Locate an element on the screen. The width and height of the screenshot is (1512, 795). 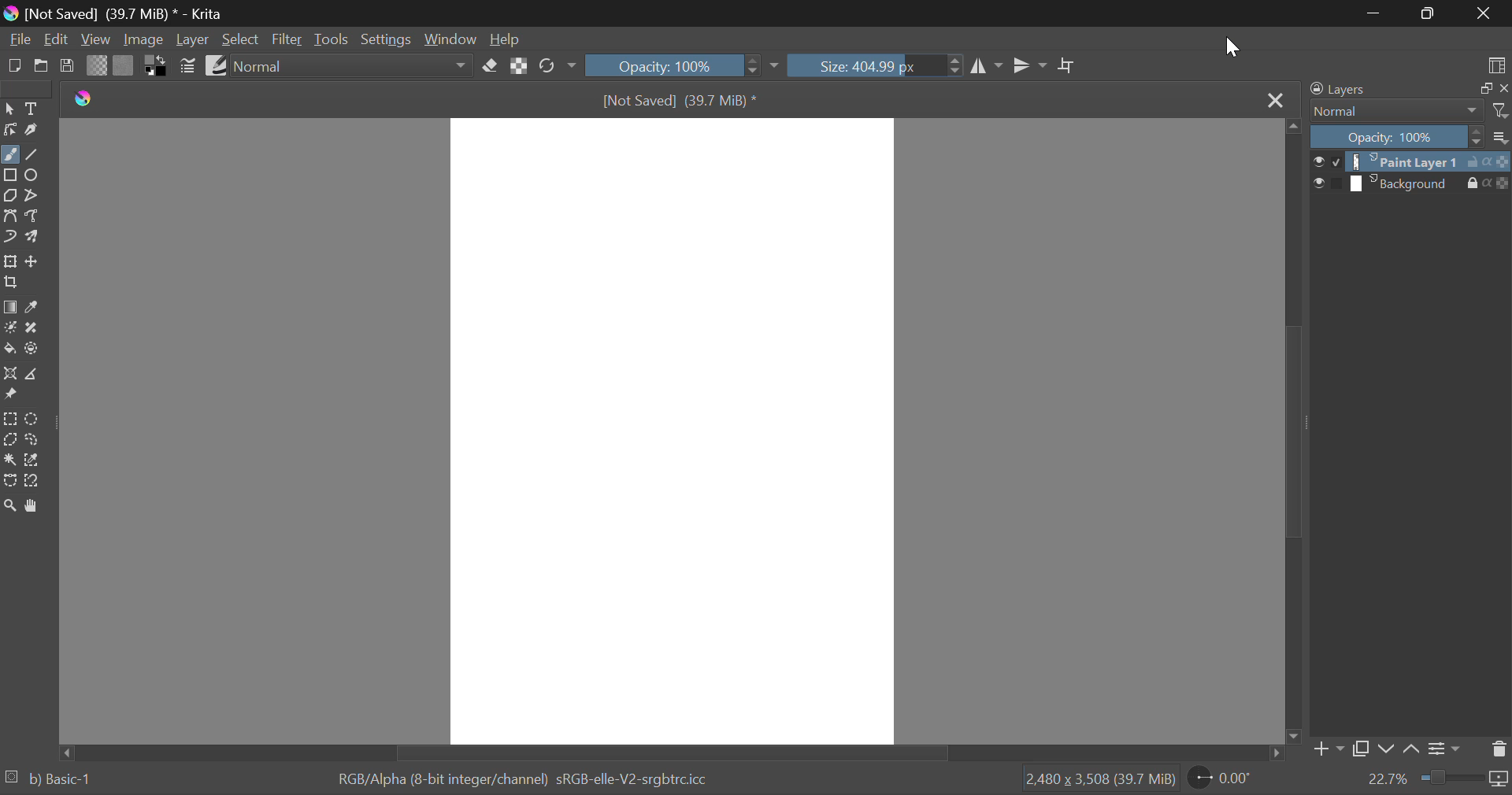
Move Layer Down is located at coordinates (1386, 749).